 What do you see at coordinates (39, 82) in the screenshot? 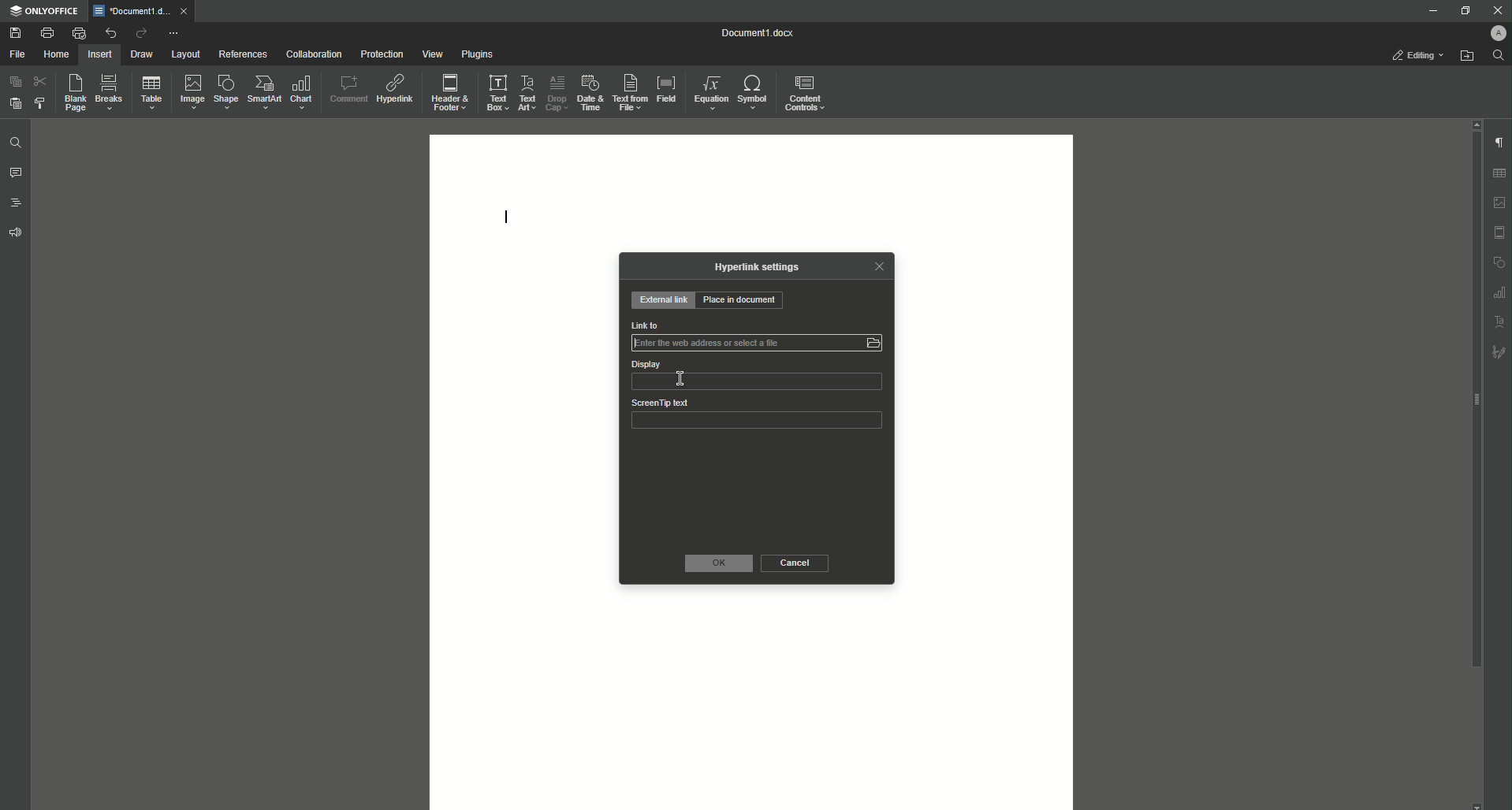
I see `Cut` at bounding box center [39, 82].